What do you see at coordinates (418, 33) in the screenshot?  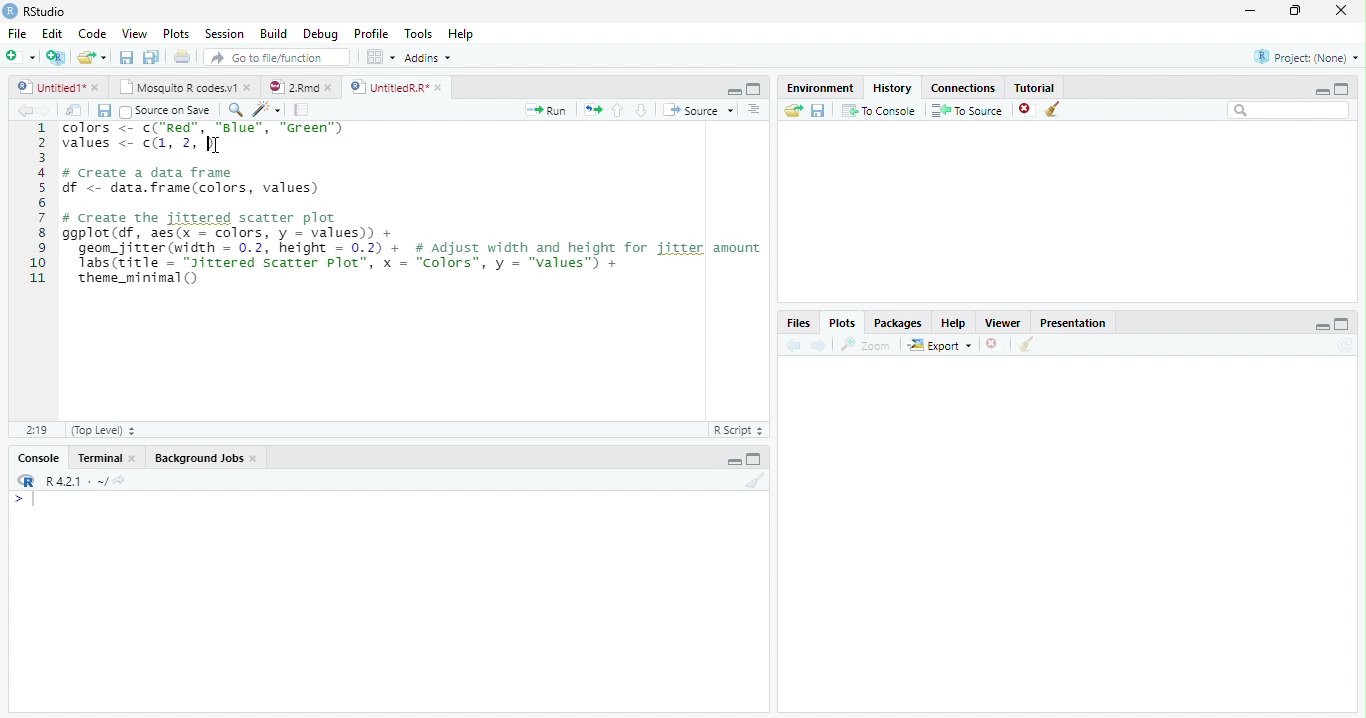 I see `Tools` at bounding box center [418, 33].